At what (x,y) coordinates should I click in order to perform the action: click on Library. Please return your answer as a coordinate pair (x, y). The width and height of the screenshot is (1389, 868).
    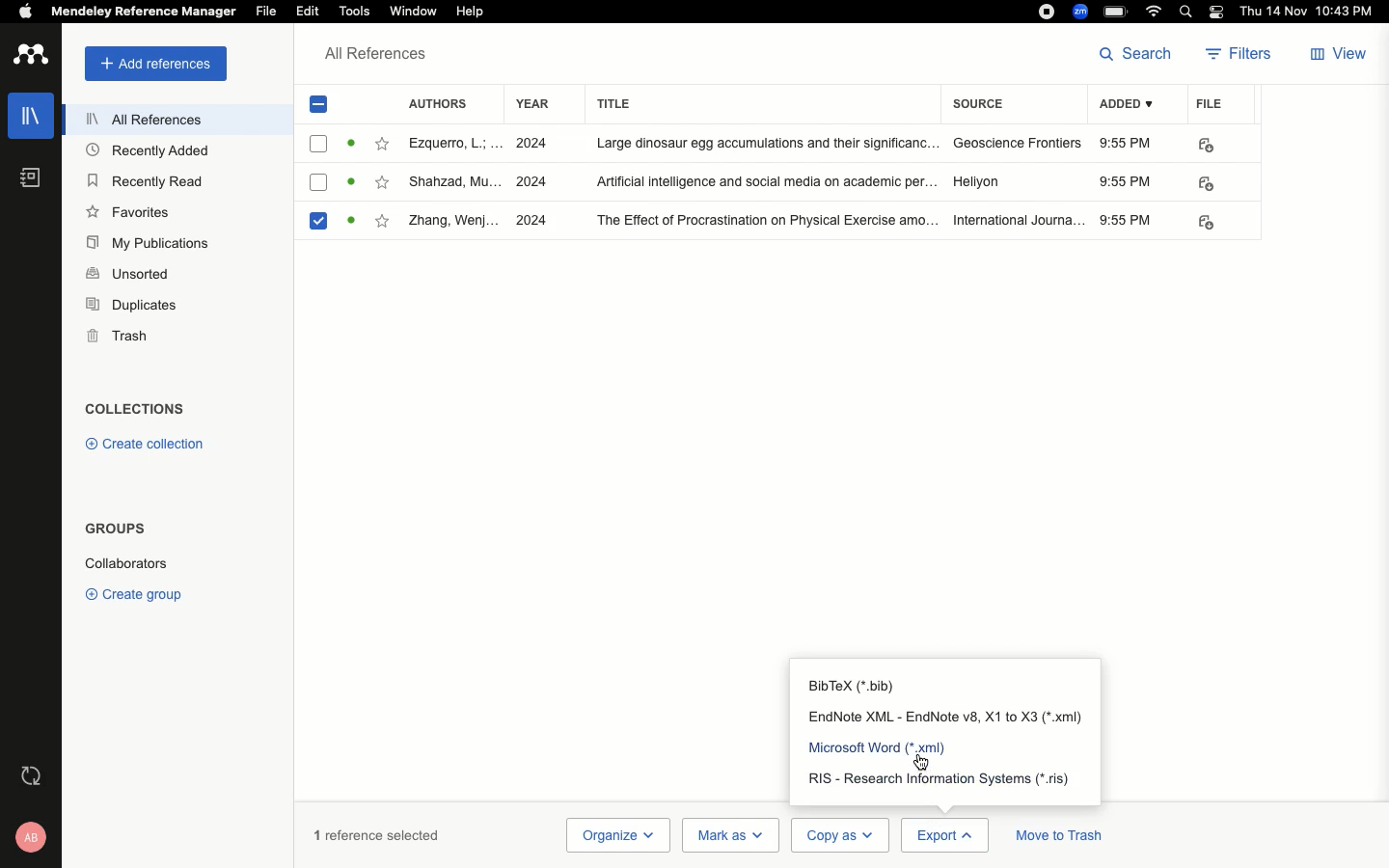
    Looking at the image, I should click on (32, 111).